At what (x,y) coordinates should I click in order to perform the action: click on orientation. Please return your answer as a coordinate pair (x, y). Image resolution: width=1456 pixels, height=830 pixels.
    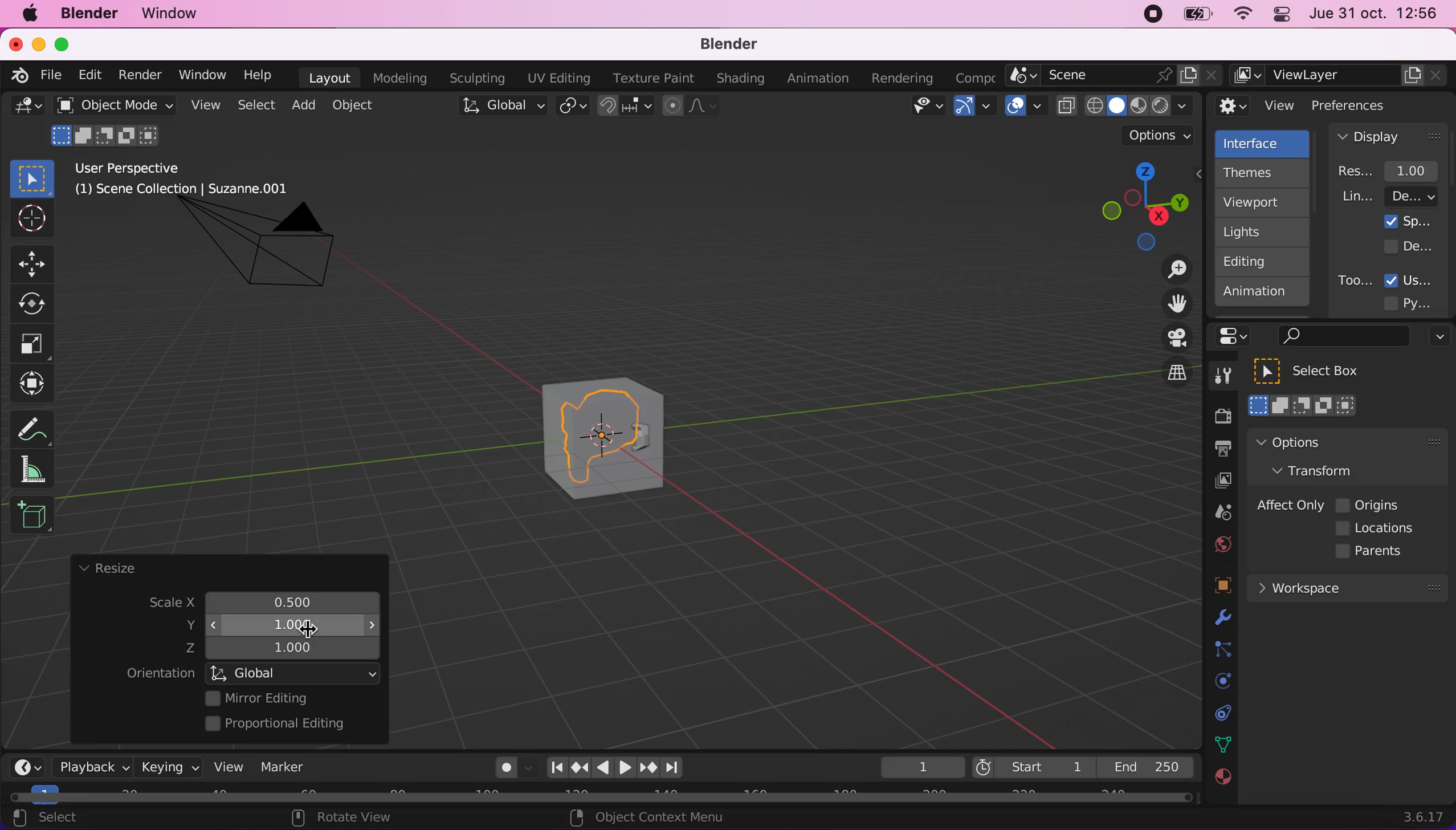
    Looking at the image, I should click on (160, 674).